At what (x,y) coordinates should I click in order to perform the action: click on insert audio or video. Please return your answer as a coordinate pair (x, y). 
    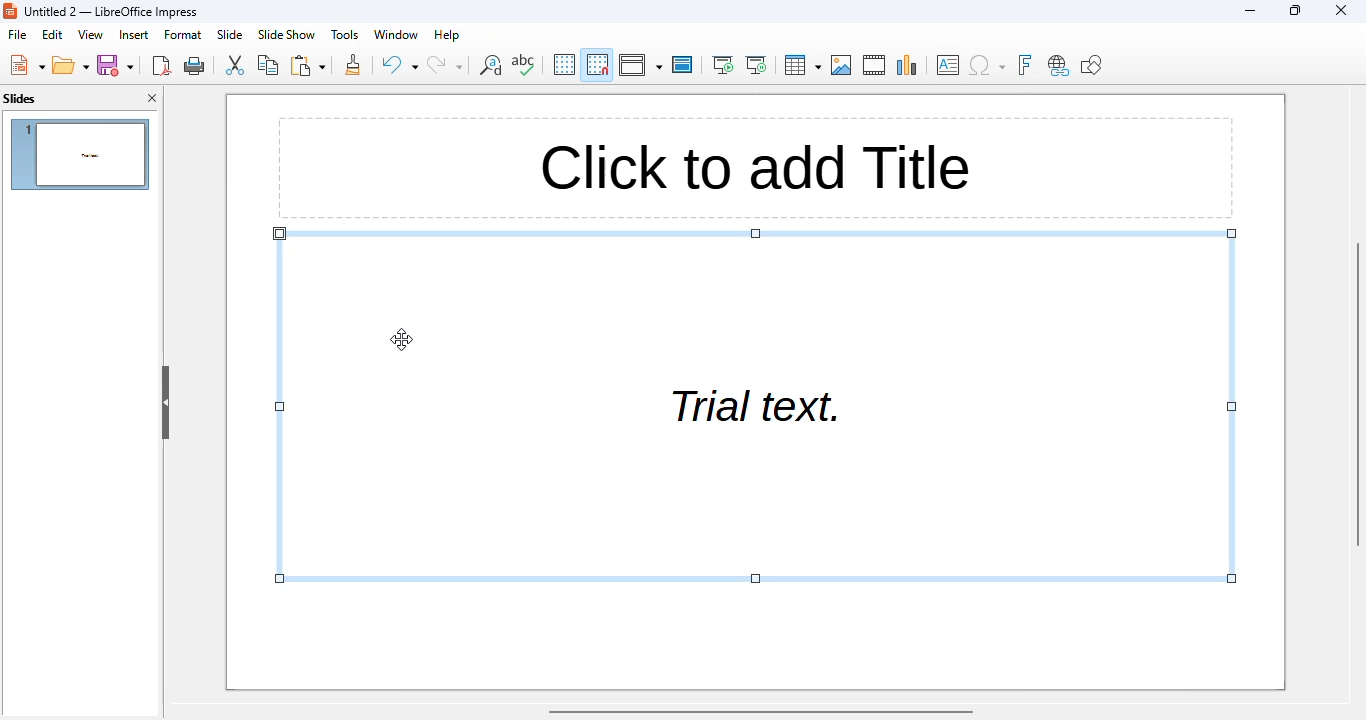
    Looking at the image, I should click on (875, 64).